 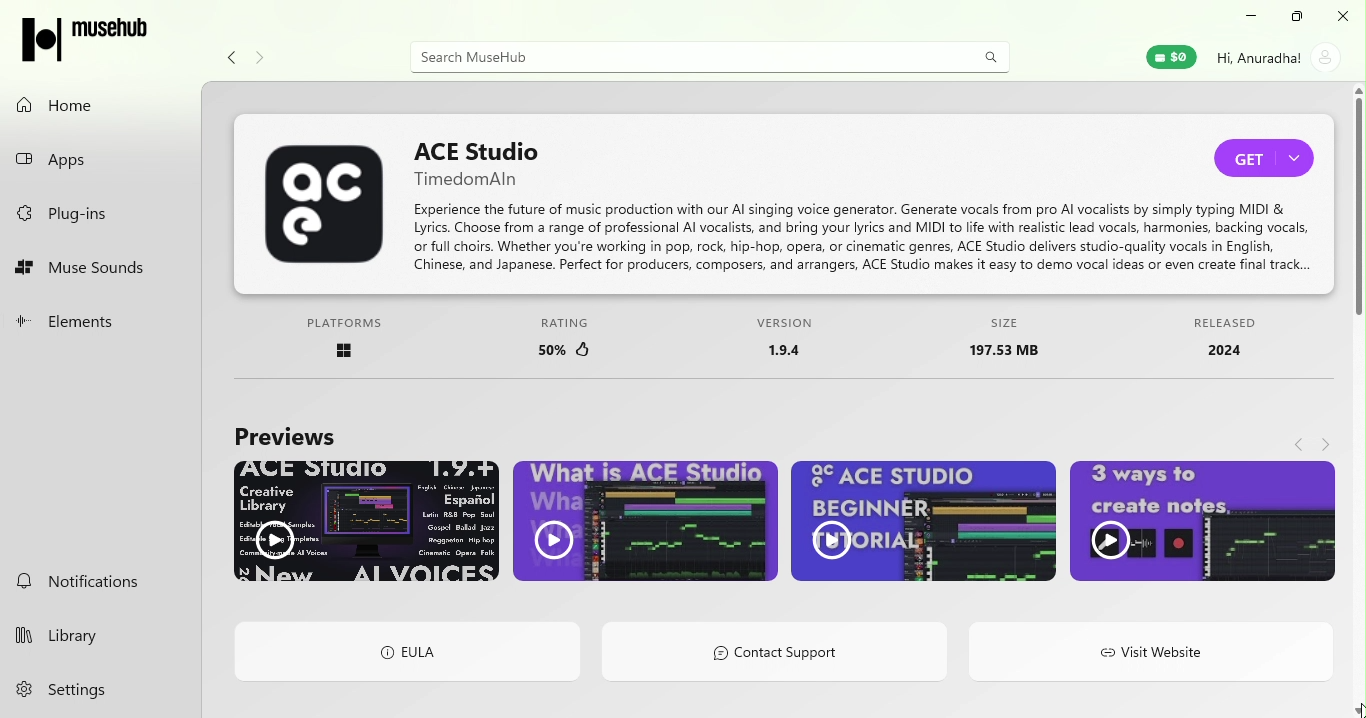 I want to click on Released, so click(x=1224, y=343).